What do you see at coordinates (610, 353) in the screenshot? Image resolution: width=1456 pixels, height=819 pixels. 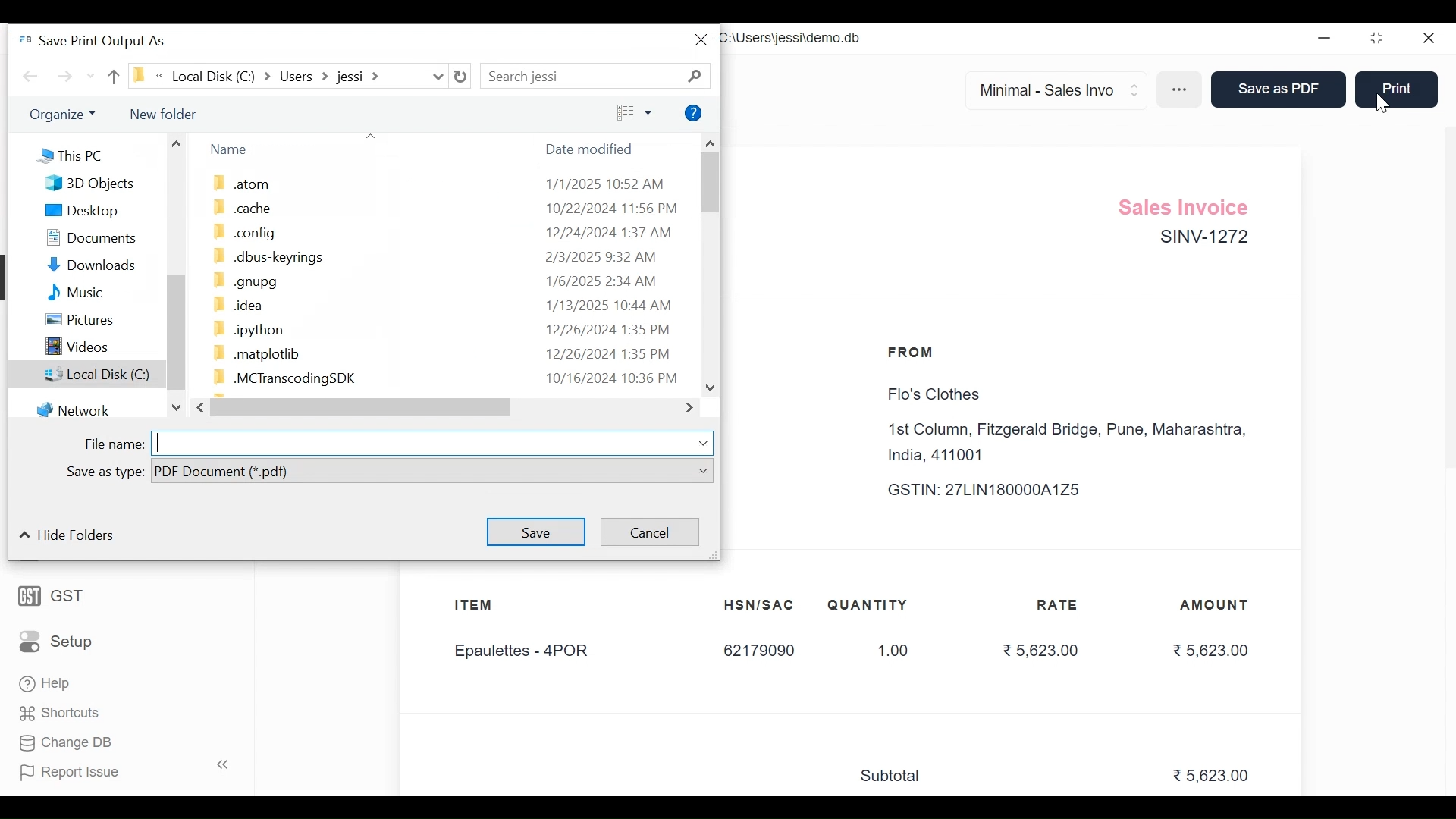 I see `12/26/2024 1:35 PM` at bounding box center [610, 353].